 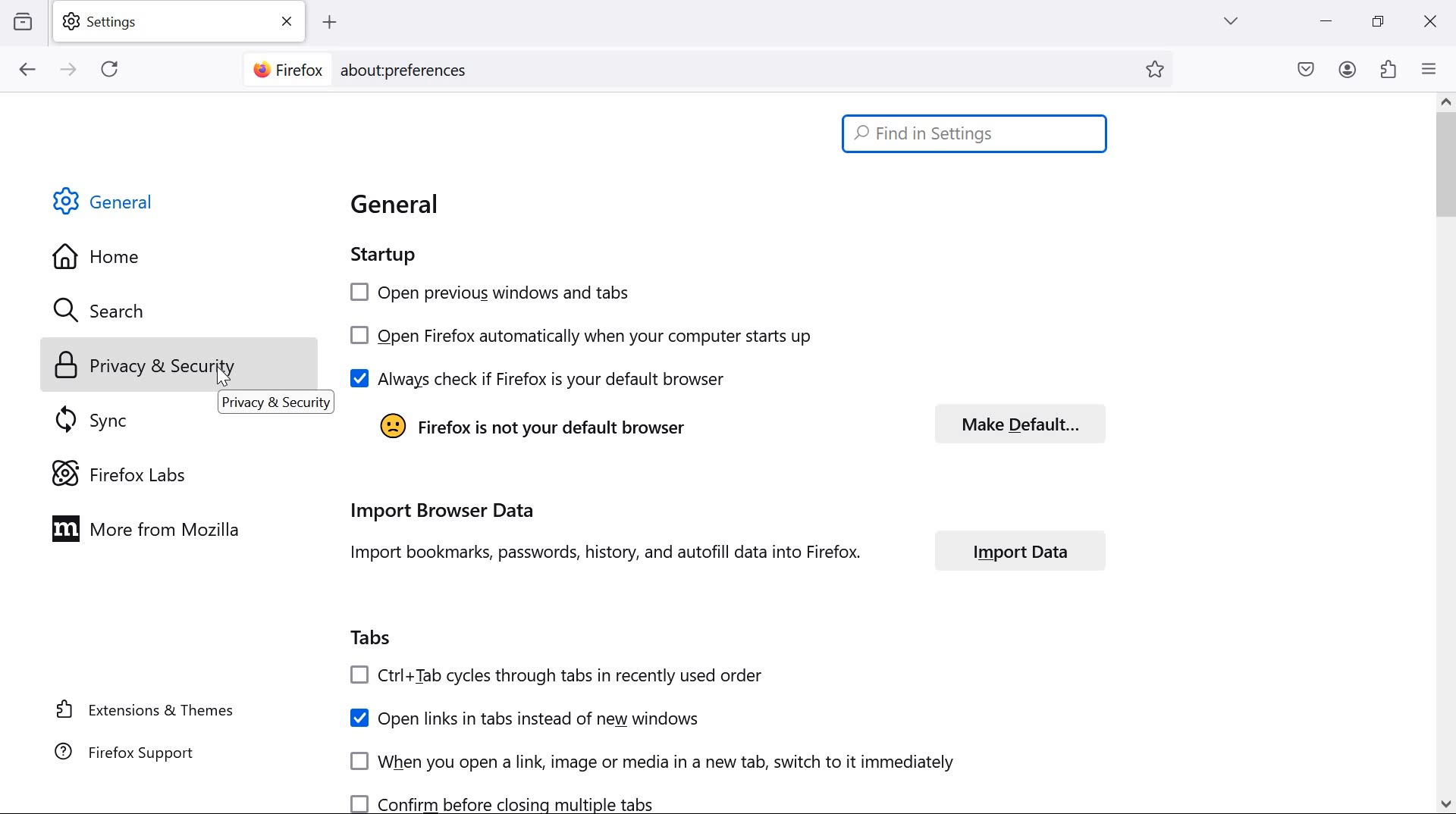 What do you see at coordinates (1327, 21) in the screenshot?
I see `minimize` at bounding box center [1327, 21].